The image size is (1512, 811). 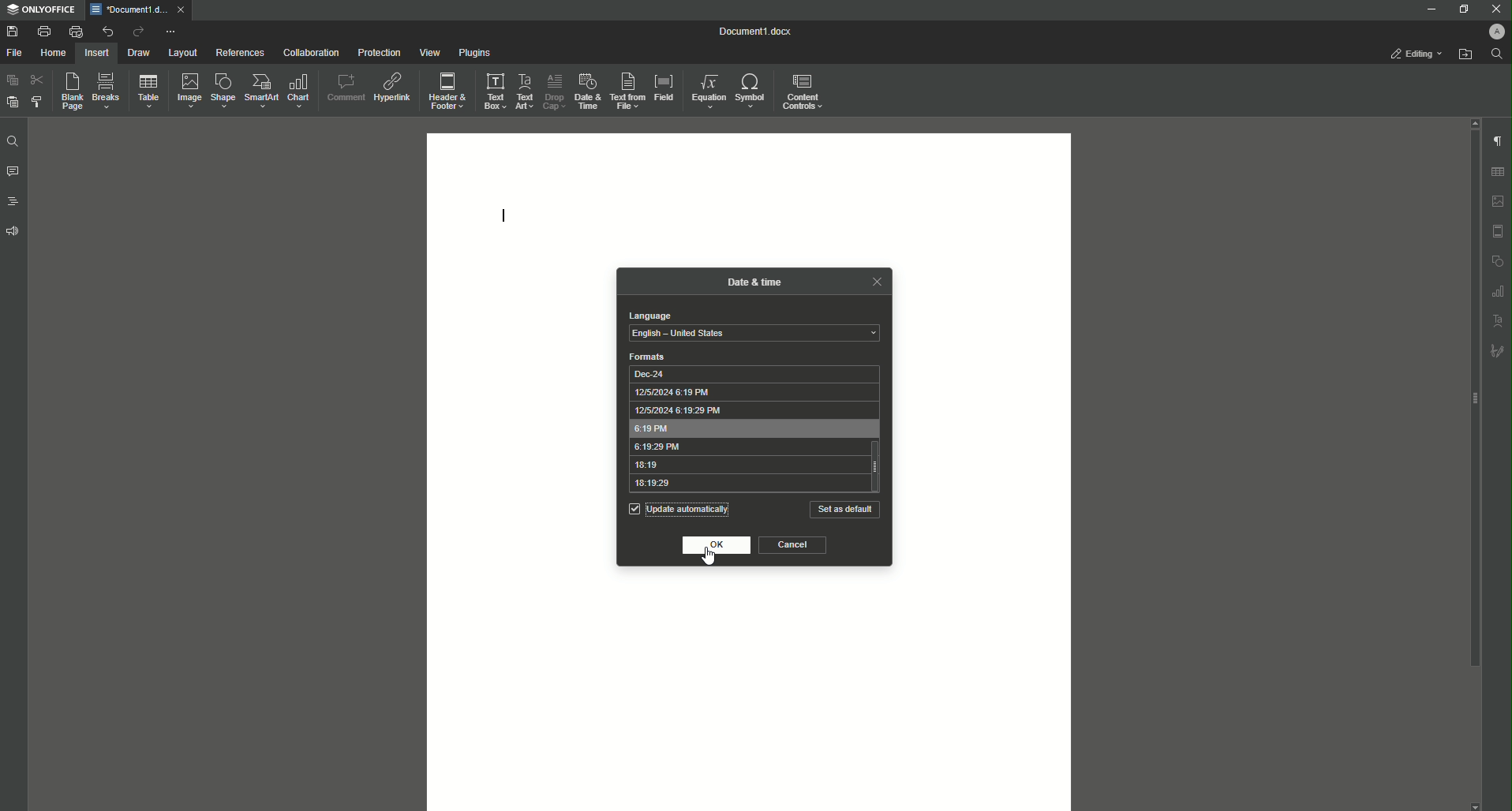 I want to click on language, so click(x=649, y=316).